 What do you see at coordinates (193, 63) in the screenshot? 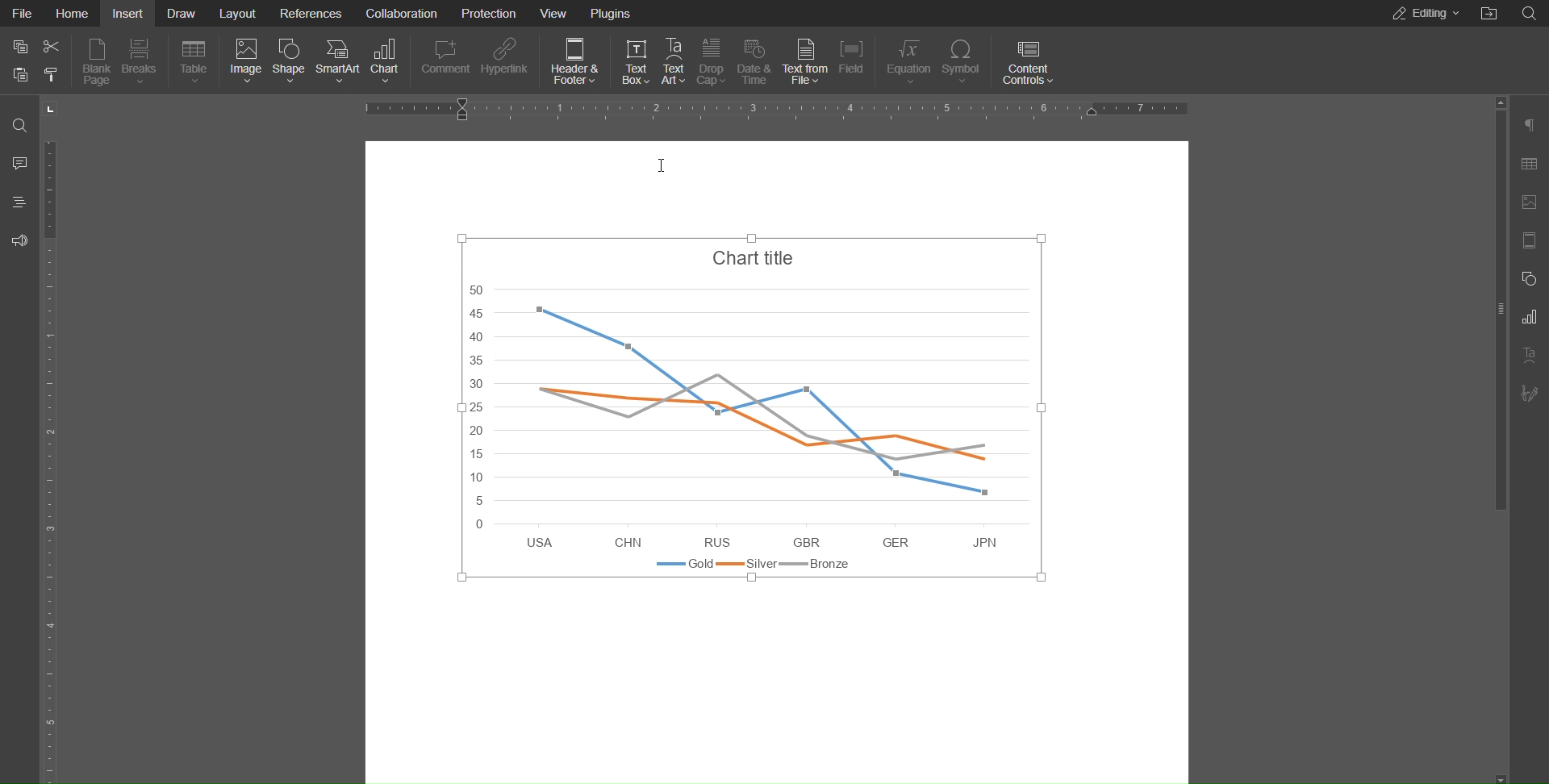
I see `Table` at bounding box center [193, 63].